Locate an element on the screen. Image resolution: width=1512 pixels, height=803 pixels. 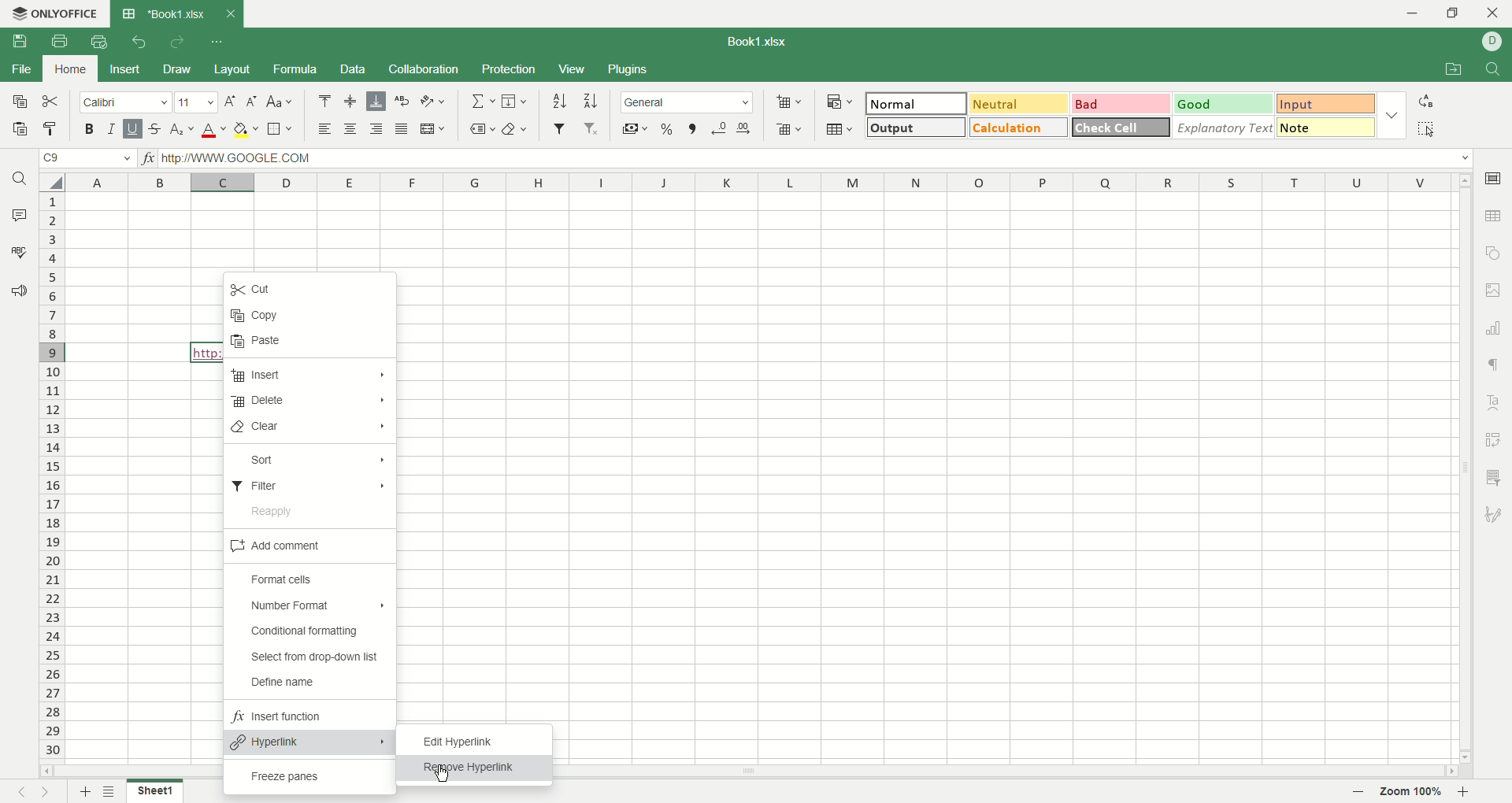
new sheet is located at coordinates (86, 790).